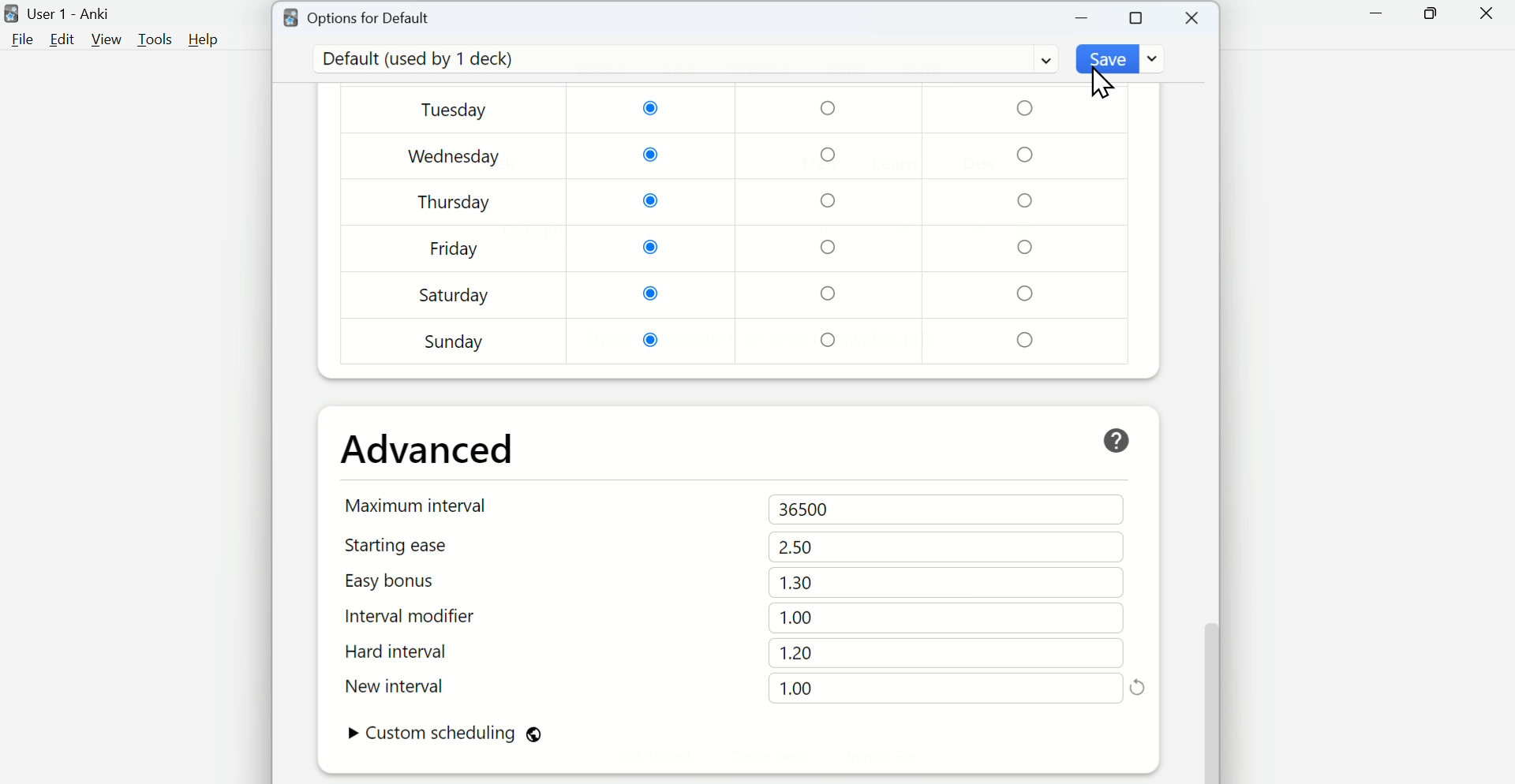 The width and height of the screenshot is (1515, 784). I want to click on Maximum interval, so click(420, 505).